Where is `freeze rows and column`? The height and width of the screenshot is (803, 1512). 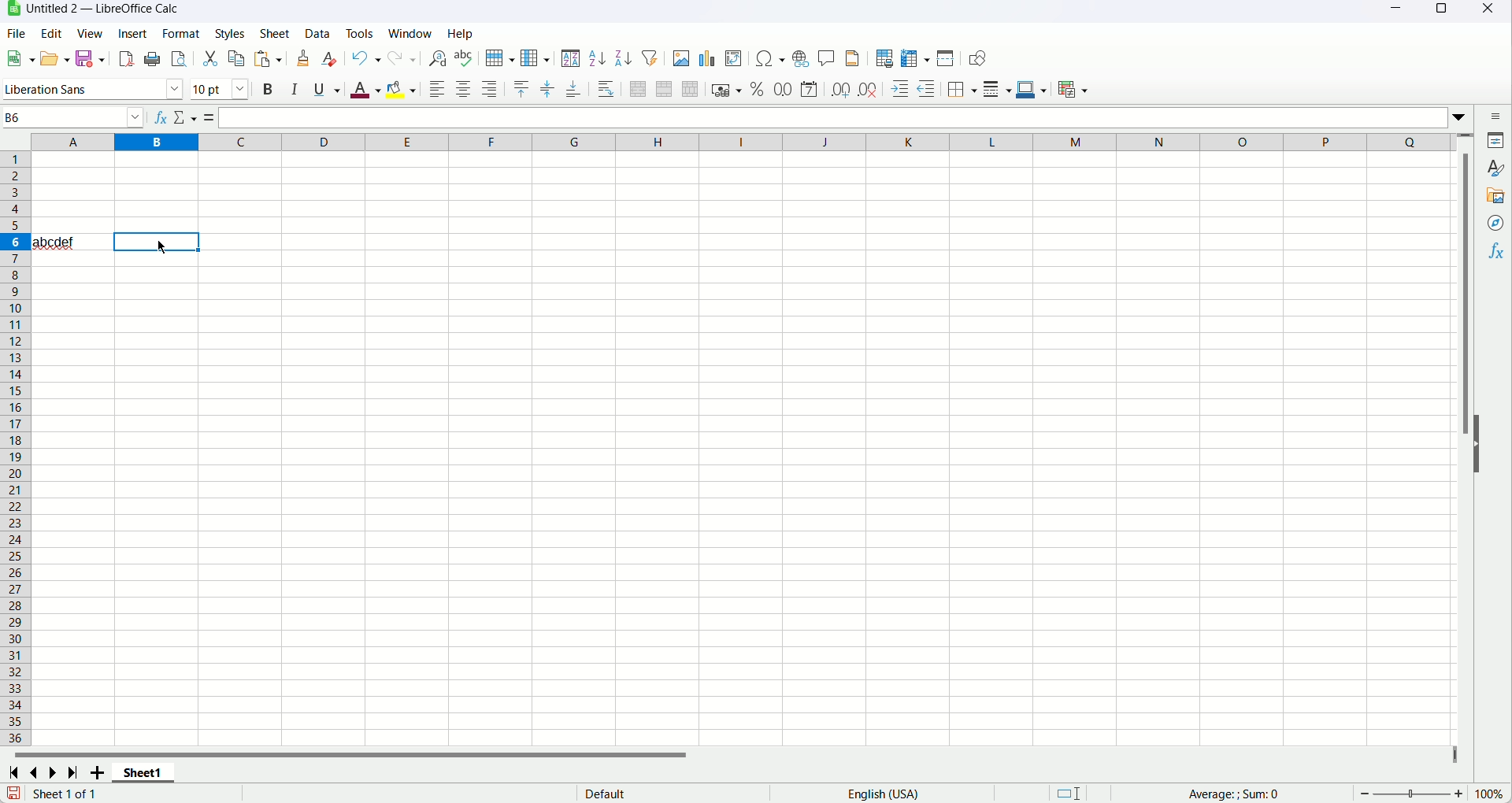
freeze rows and column is located at coordinates (916, 57).